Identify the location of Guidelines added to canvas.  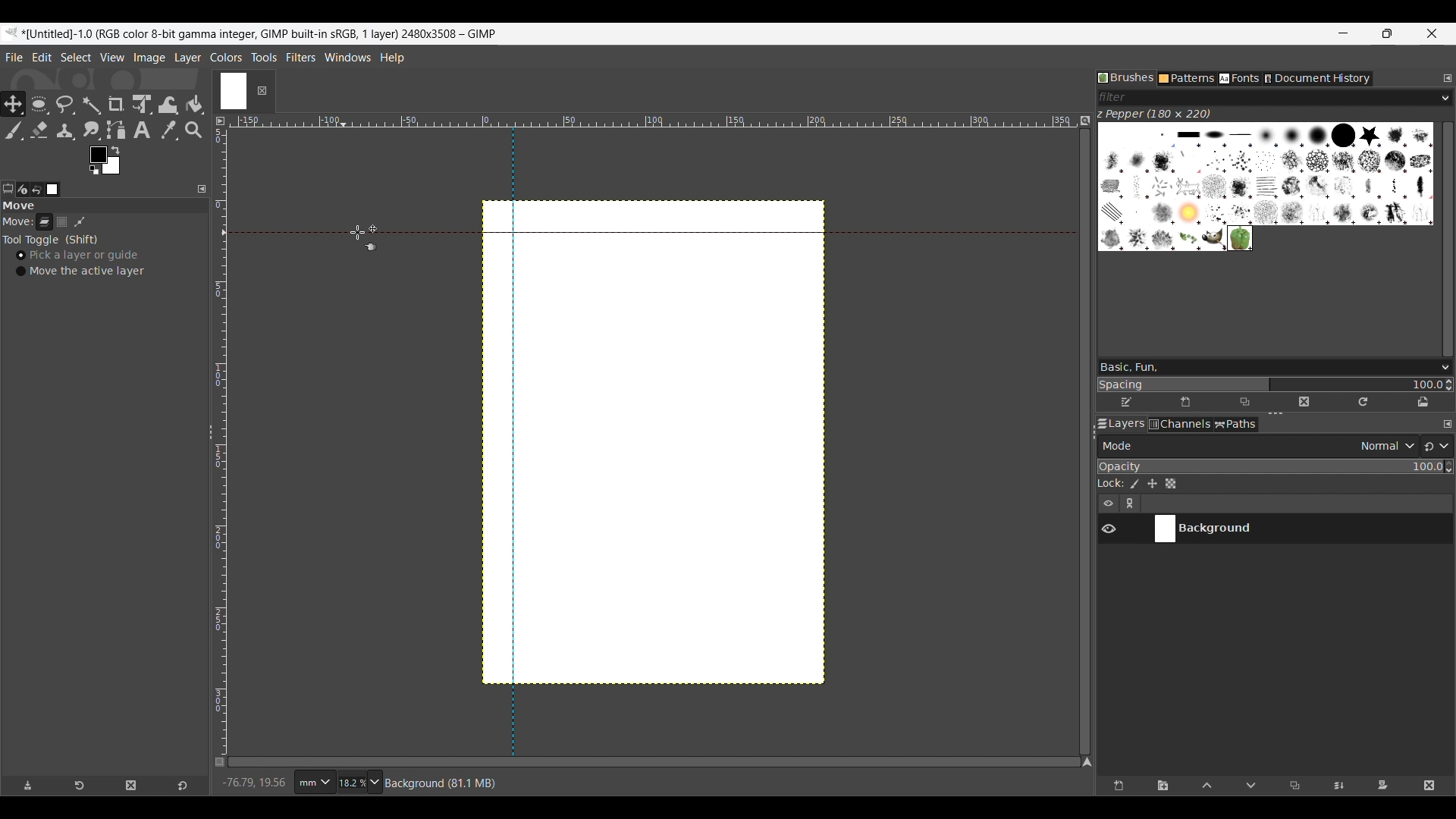
(642, 442).